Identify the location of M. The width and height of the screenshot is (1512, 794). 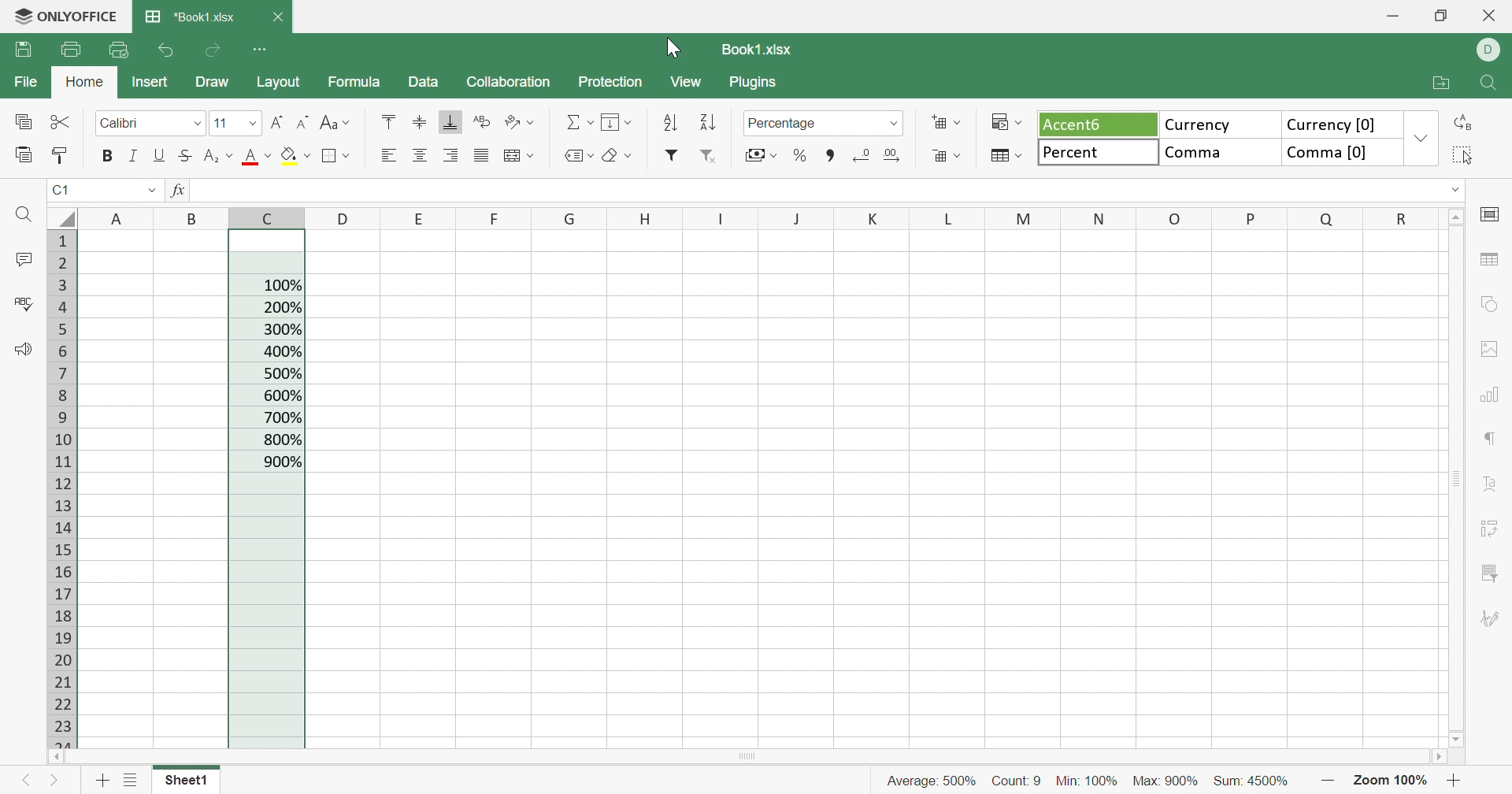
(1022, 220).